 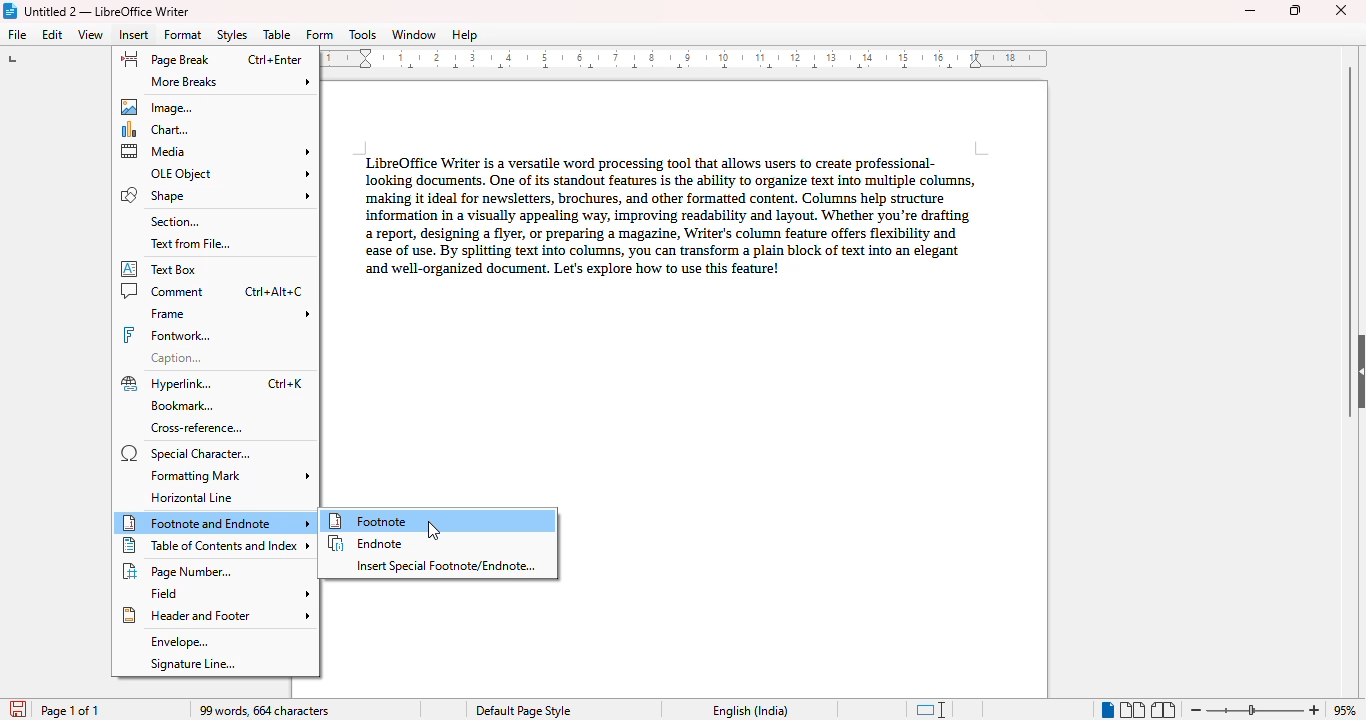 I want to click on media, so click(x=216, y=151).